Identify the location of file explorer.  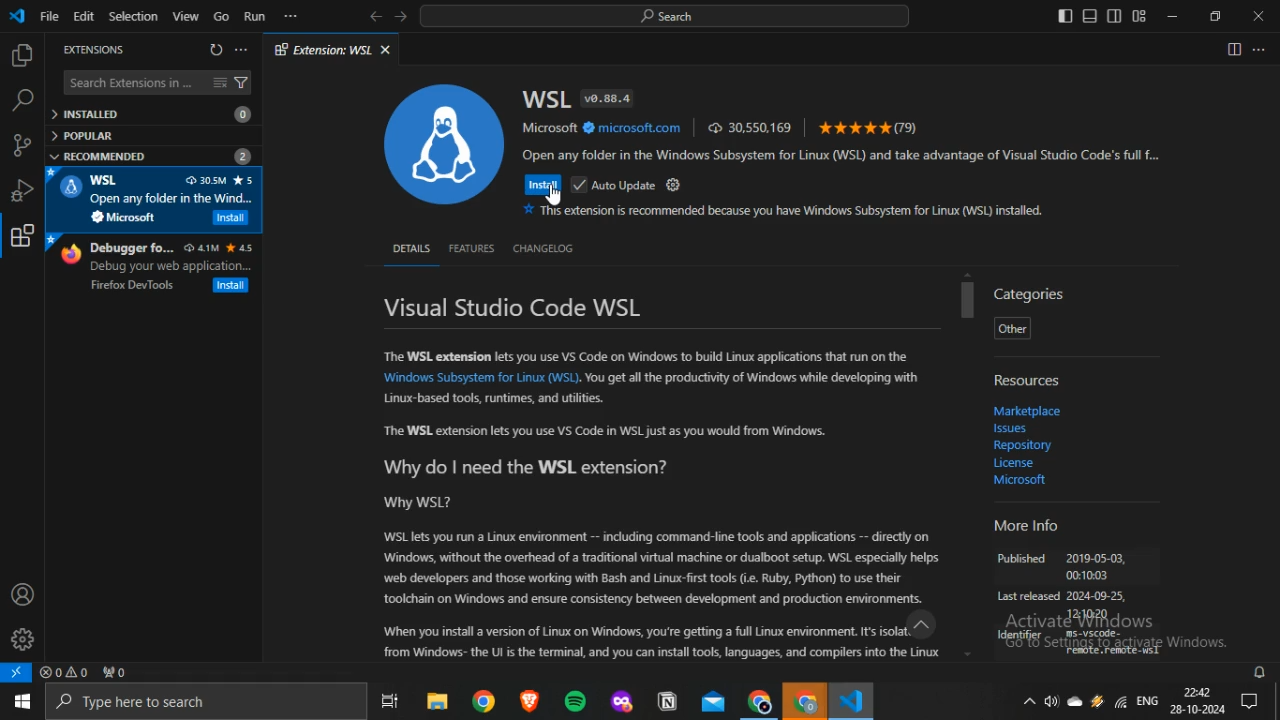
(438, 700).